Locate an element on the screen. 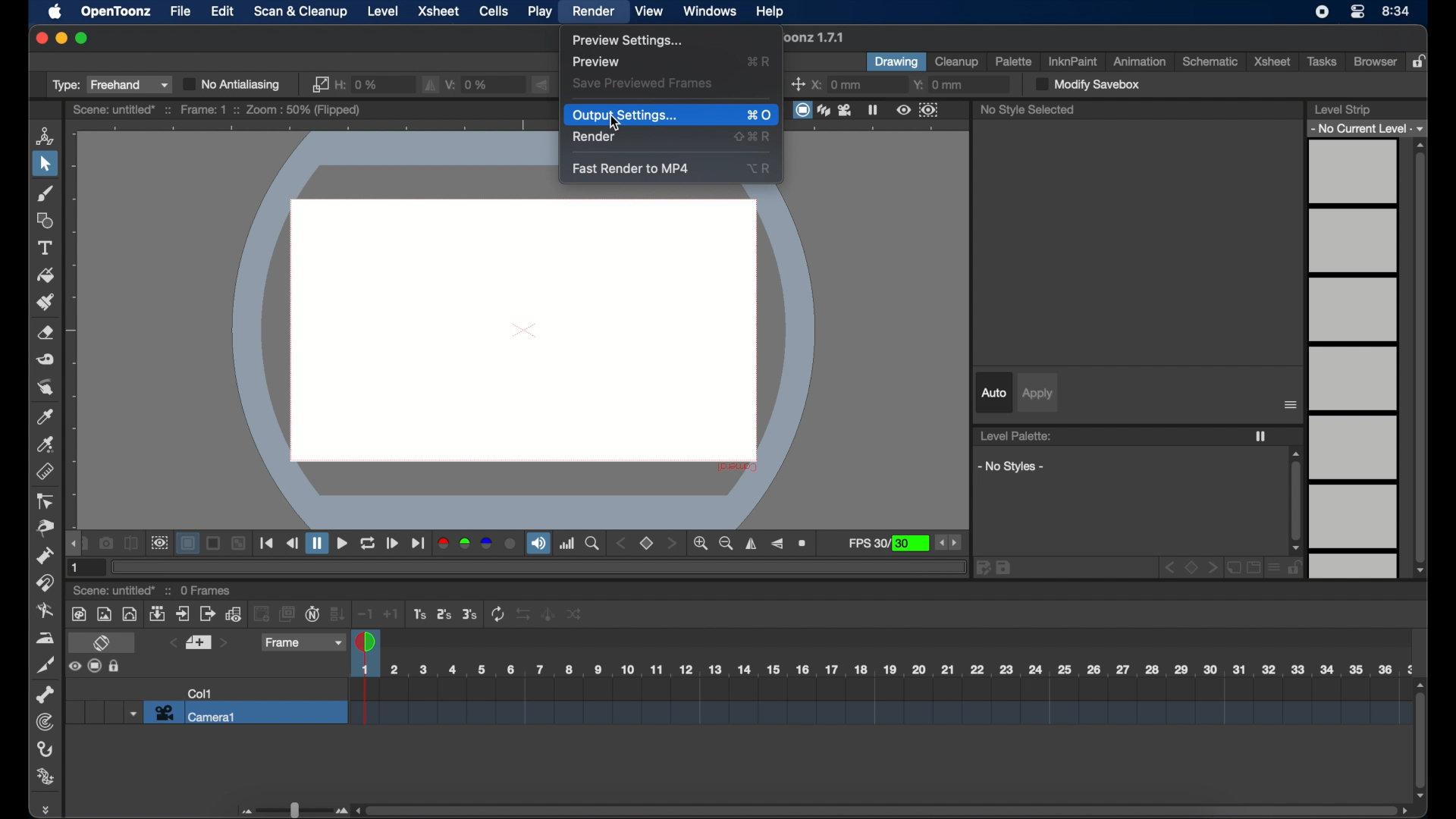  stepper buttons is located at coordinates (948, 542).